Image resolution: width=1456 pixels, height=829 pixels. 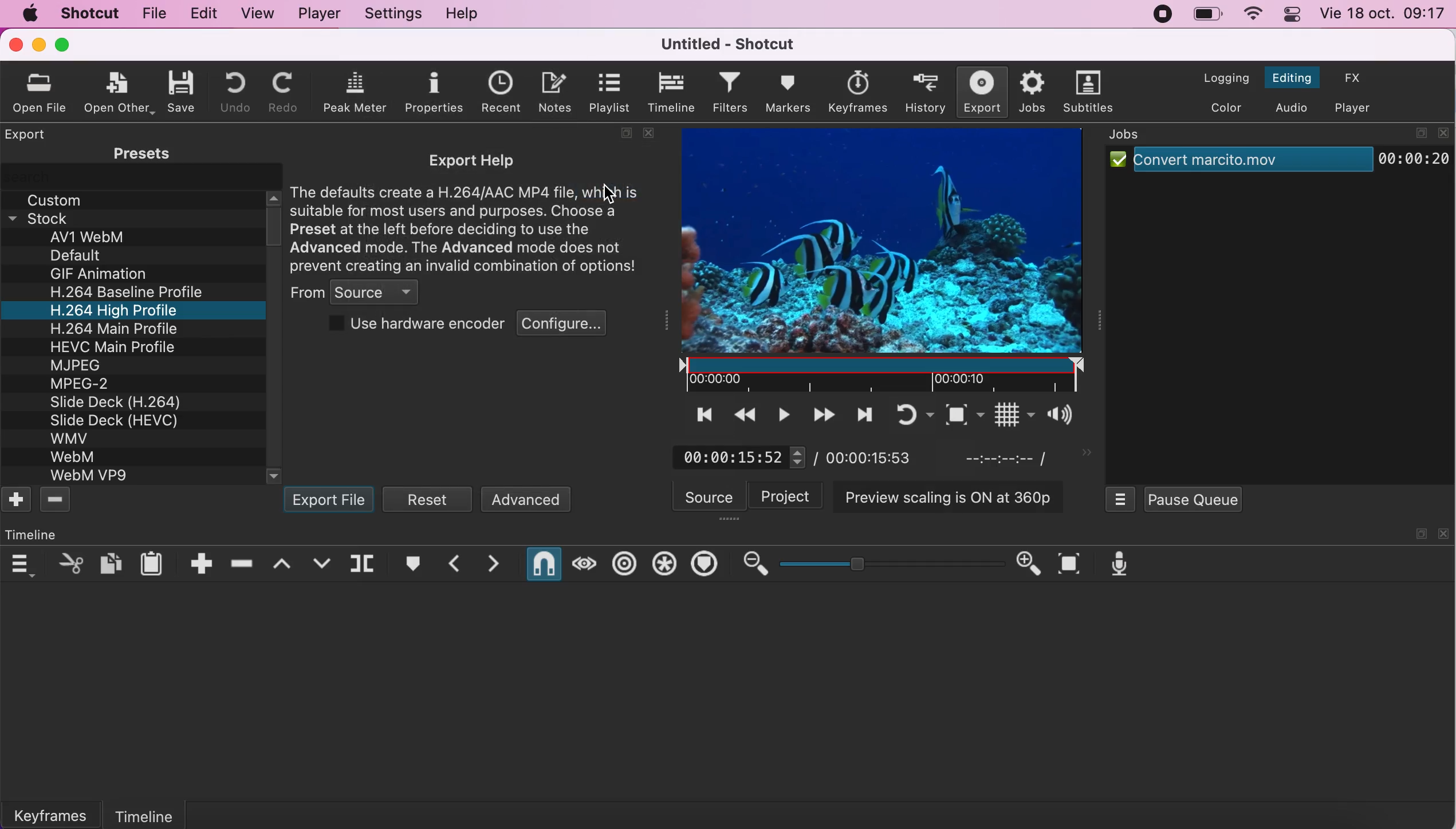 What do you see at coordinates (360, 293) in the screenshot?
I see `from source` at bounding box center [360, 293].